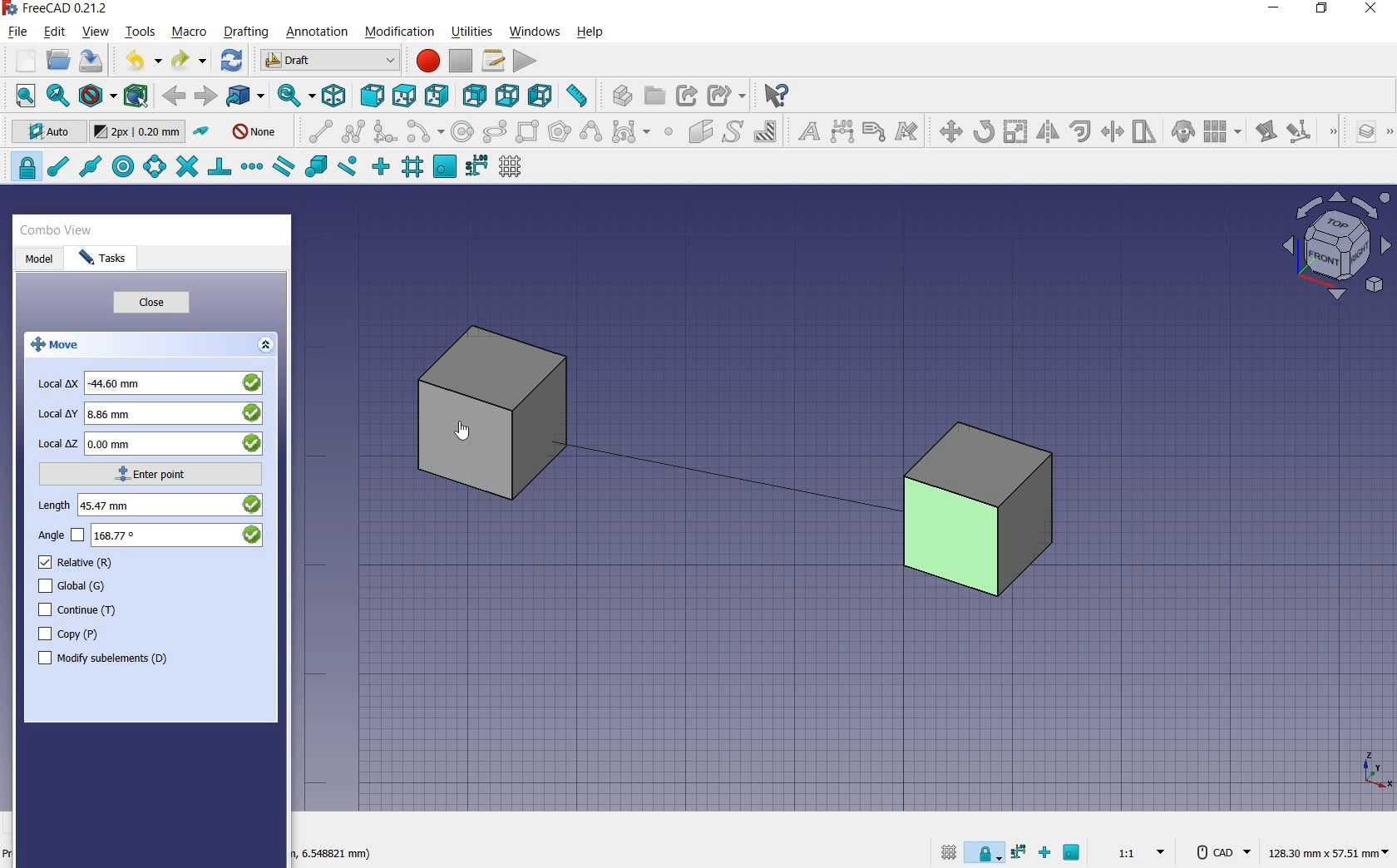 This screenshot has height=868, width=1397. What do you see at coordinates (949, 854) in the screenshot?
I see `toggle grid` at bounding box center [949, 854].